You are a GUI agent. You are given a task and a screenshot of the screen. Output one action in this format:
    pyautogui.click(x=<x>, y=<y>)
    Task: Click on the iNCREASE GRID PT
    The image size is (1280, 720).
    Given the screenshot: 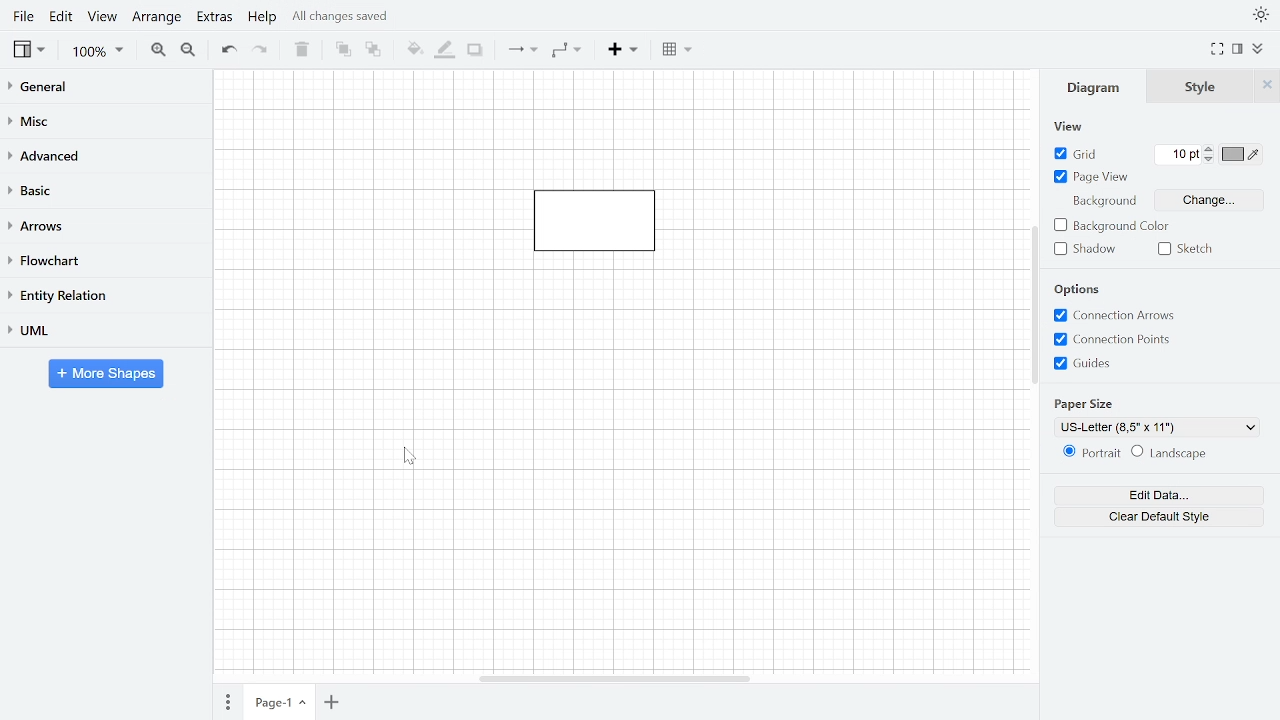 What is the action you would take?
    pyautogui.click(x=1210, y=148)
    